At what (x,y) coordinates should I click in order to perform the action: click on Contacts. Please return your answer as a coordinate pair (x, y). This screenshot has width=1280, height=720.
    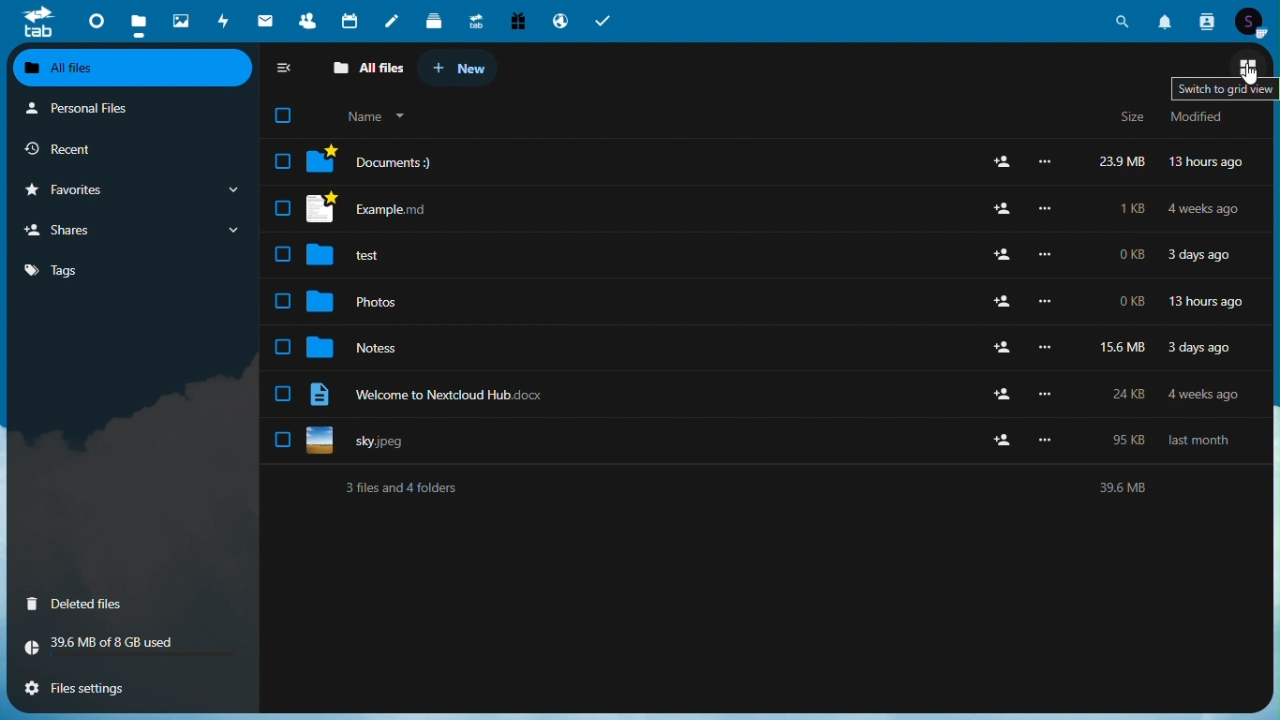
    Looking at the image, I should click on (1207, 21).